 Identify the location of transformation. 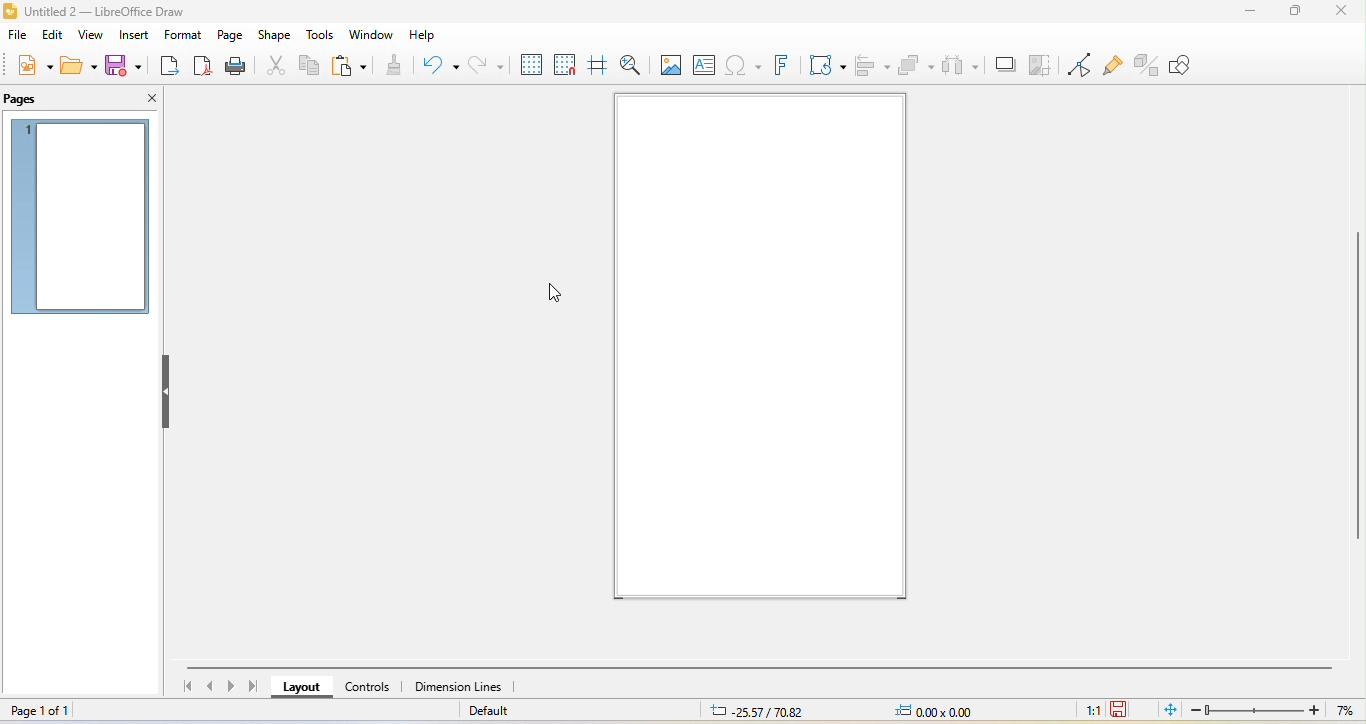
(829, 66).